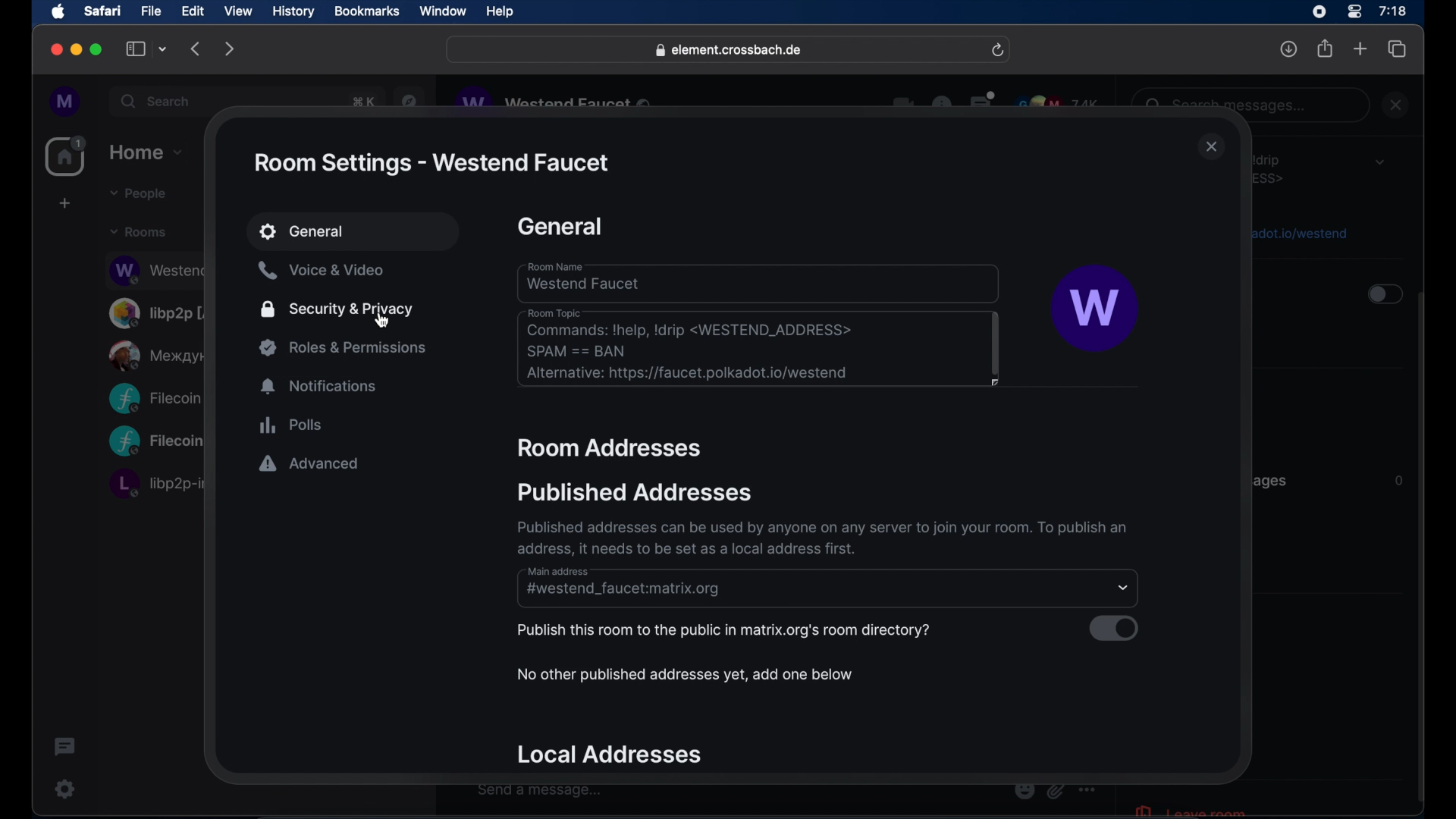 This screenshot has height=819, width=1456. What do you see at coordinates (196, 49) in the screenshot?
I see `backward` at bounding box center [196, 49].